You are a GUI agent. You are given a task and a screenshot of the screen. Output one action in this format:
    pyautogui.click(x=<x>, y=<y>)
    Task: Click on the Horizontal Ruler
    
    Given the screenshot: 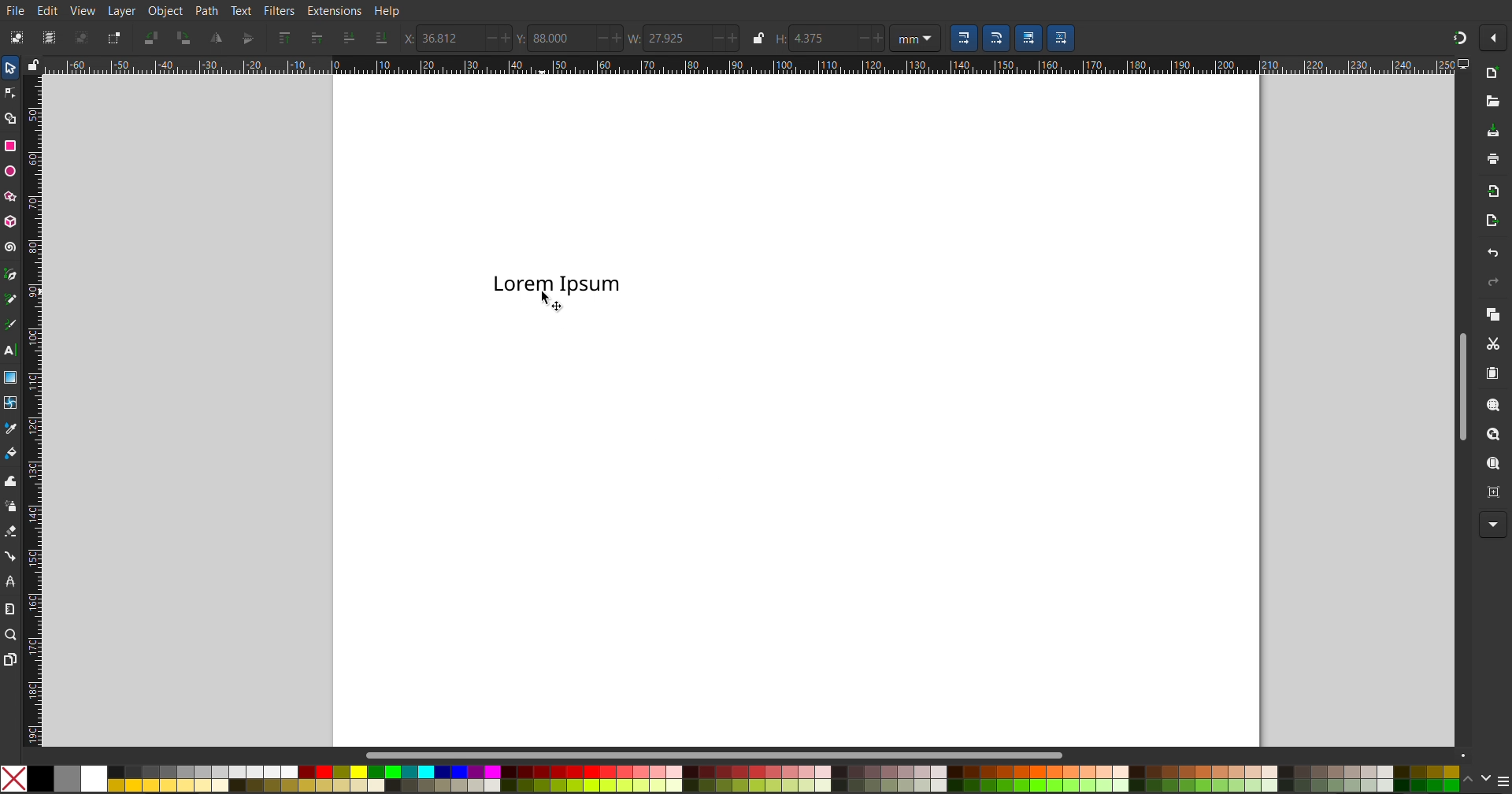 What is the action you would take?
    pyautogui.click(x=743, y=65)
    